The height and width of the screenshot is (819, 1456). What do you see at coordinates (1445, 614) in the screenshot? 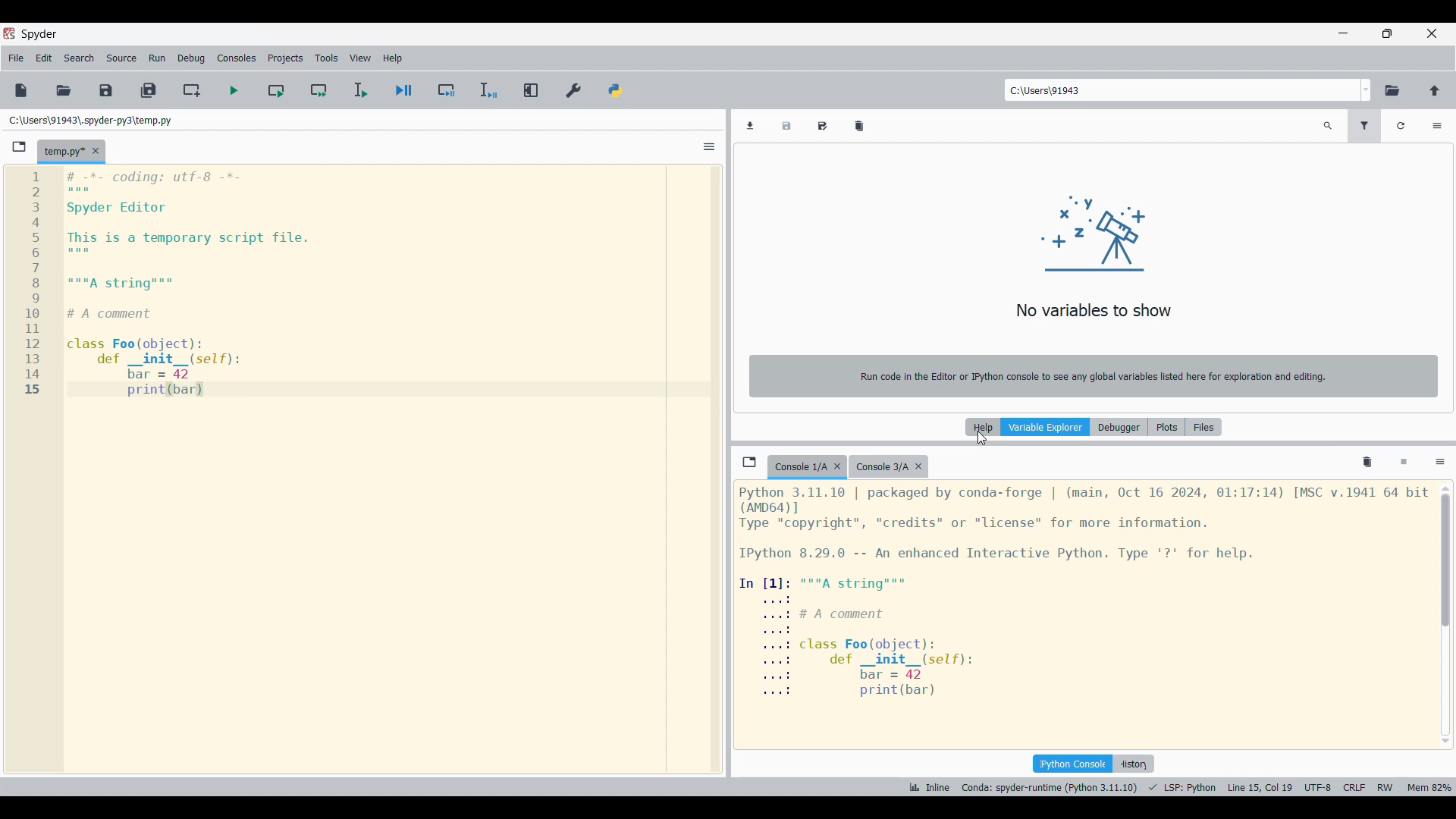
I see `Vertical slide bar` at bounding box center [1445, 614].